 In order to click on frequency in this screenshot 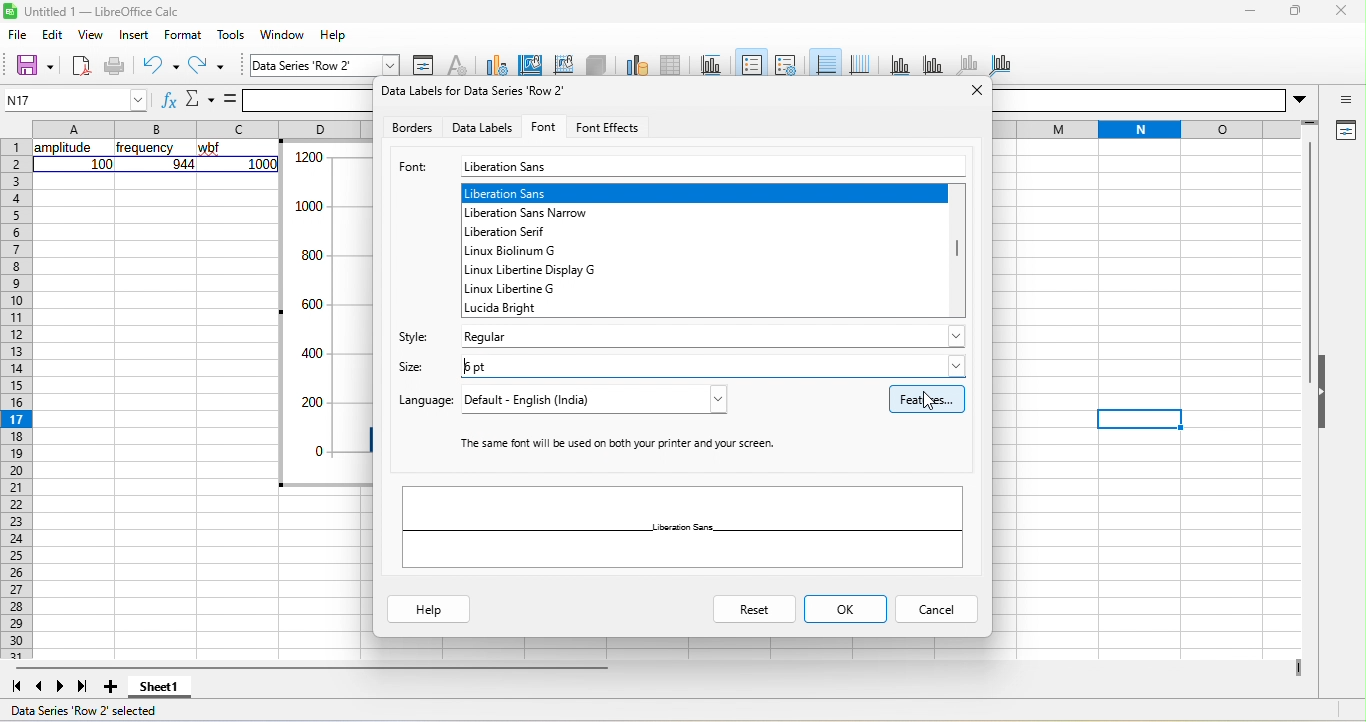, I will do `click(146, 149)`.